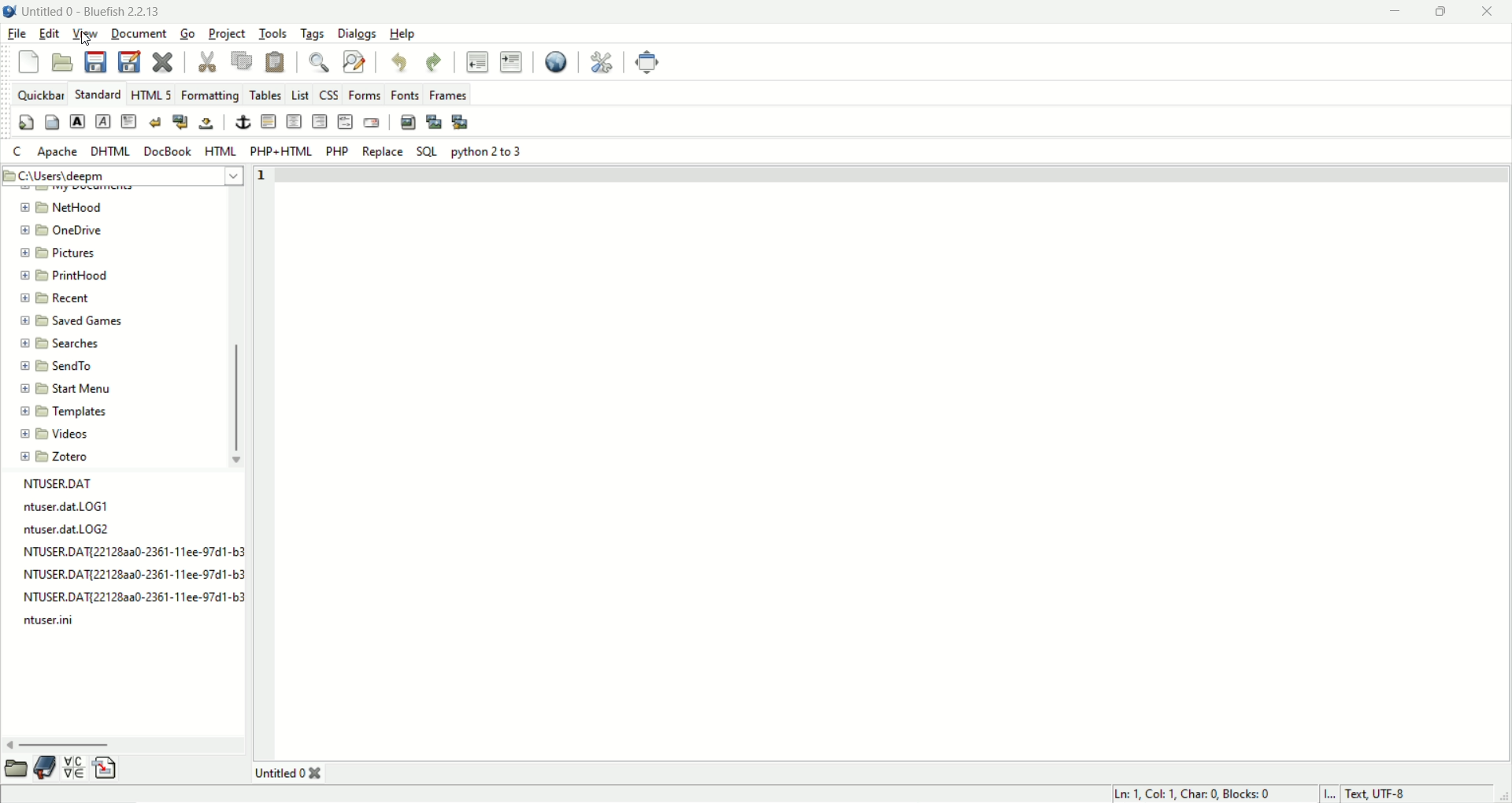 The image size is (1512, 803). I want to click on fonts, so click(406, 94).